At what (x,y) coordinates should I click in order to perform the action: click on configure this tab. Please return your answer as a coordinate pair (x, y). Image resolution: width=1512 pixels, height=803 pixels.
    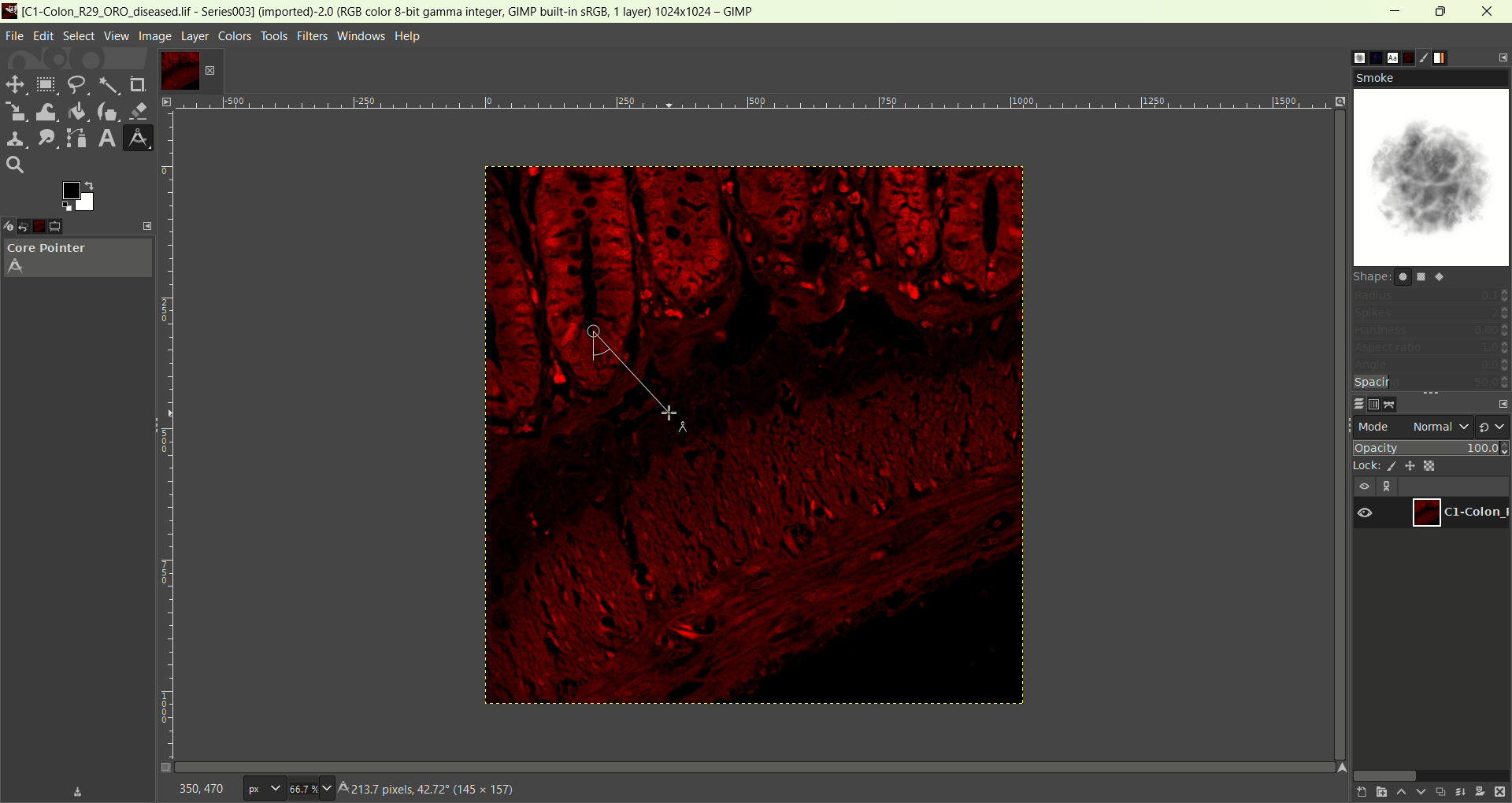
    Looking at the image, I should click on (1503, 405).